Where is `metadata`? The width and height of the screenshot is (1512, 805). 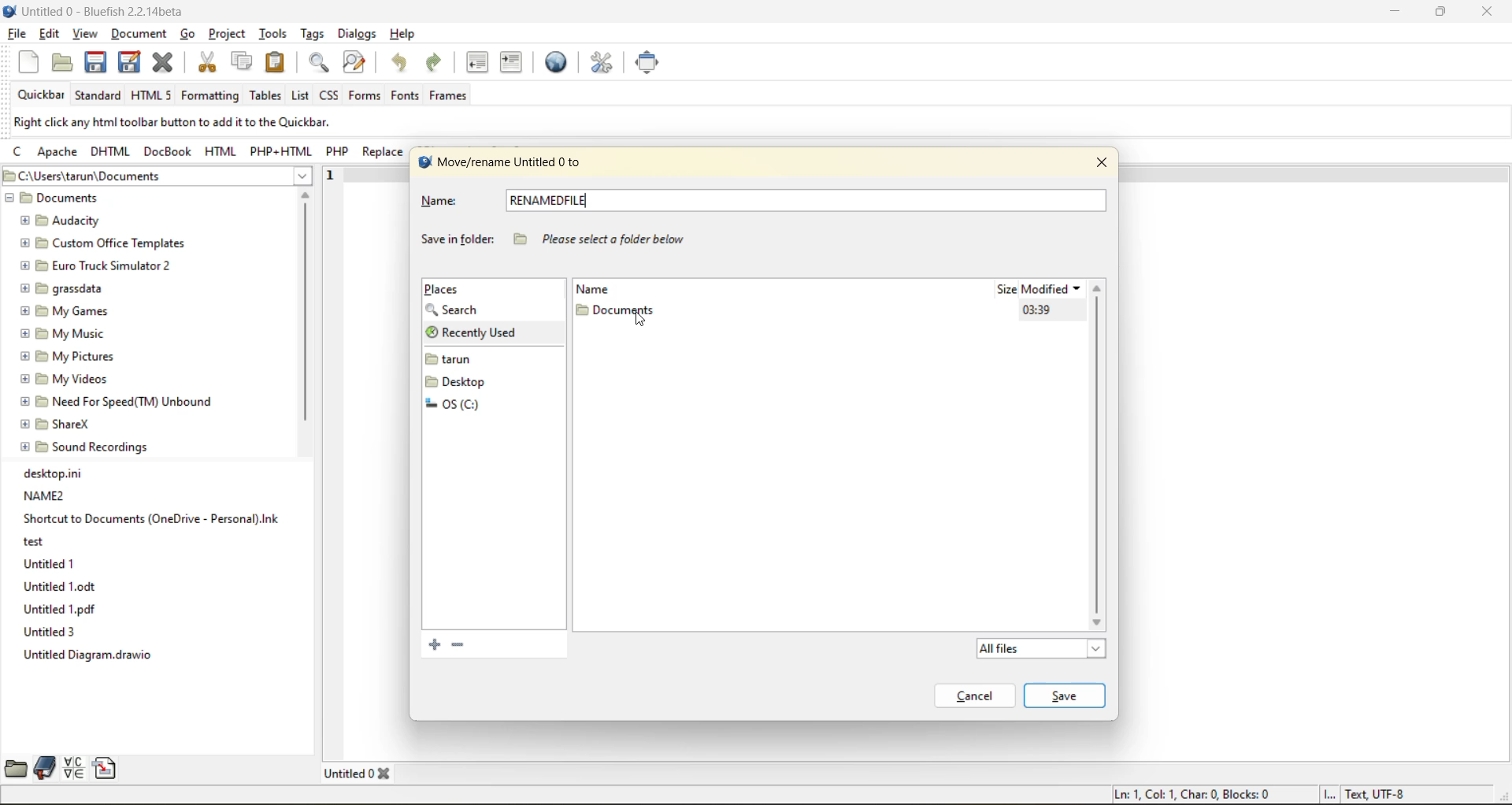
metadata is located at coordinates (198, 123).